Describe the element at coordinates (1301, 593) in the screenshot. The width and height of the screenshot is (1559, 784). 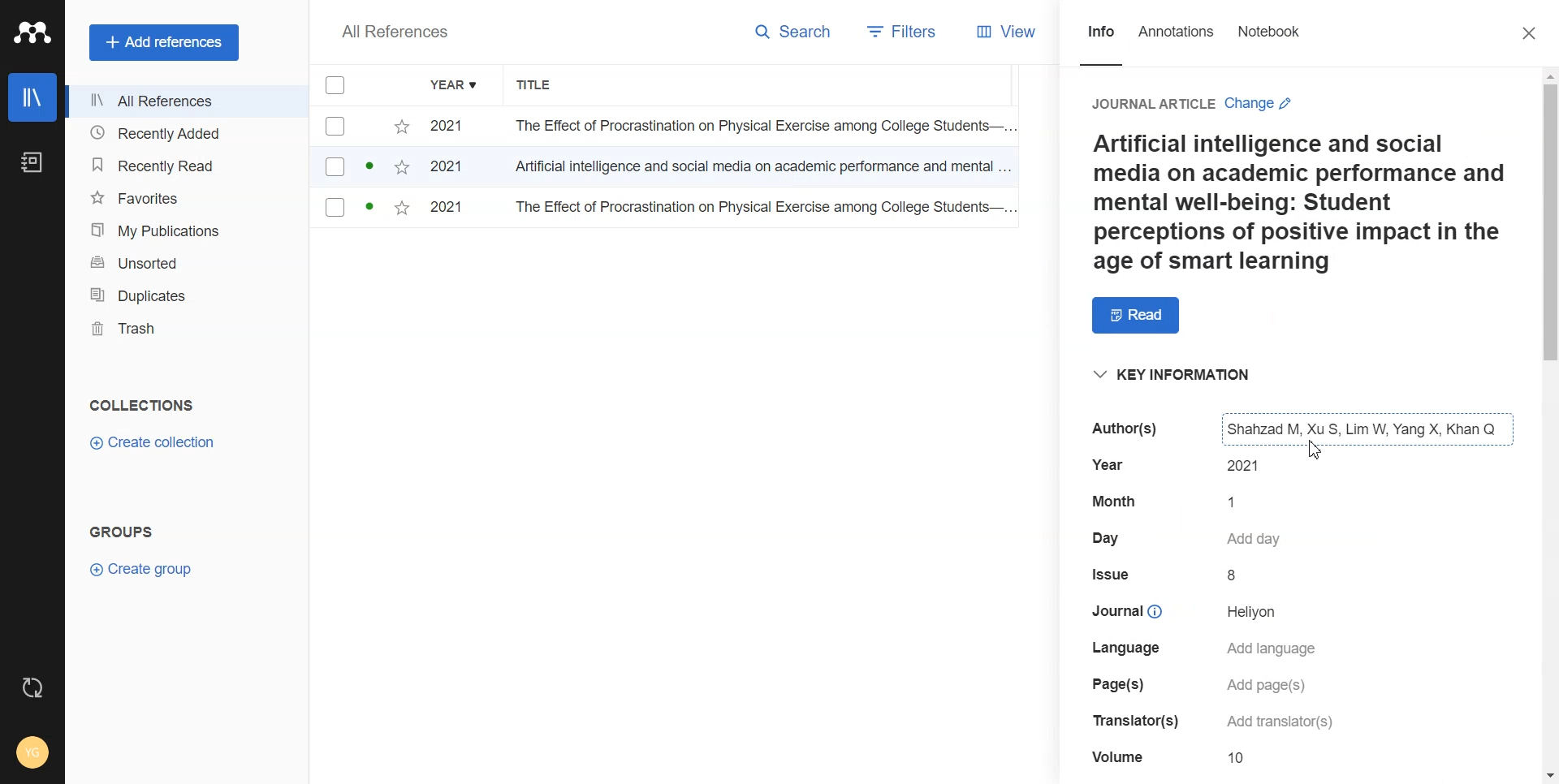
I see `The table shows a portion of a bibliographic entry, like month, date, issue, volume, journal, and specifically the author field, which lists "Shahzad M, You S, Lim W, Yang X, Khan Q."` at that location.